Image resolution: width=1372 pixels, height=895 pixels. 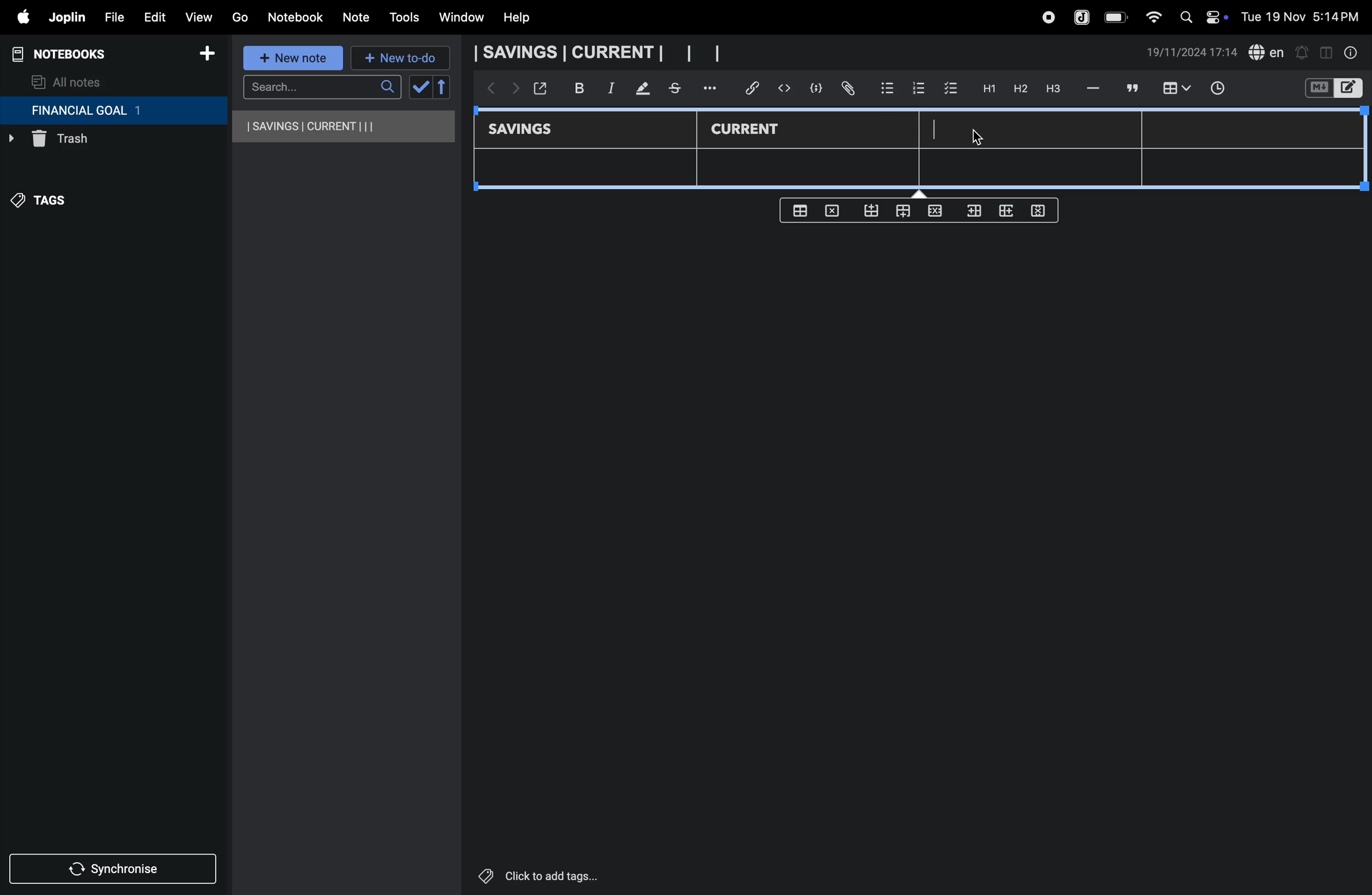 What do you see at coordinates (835, 210) in the screenshot?
I see `delete` at bounding box center [835, 210].